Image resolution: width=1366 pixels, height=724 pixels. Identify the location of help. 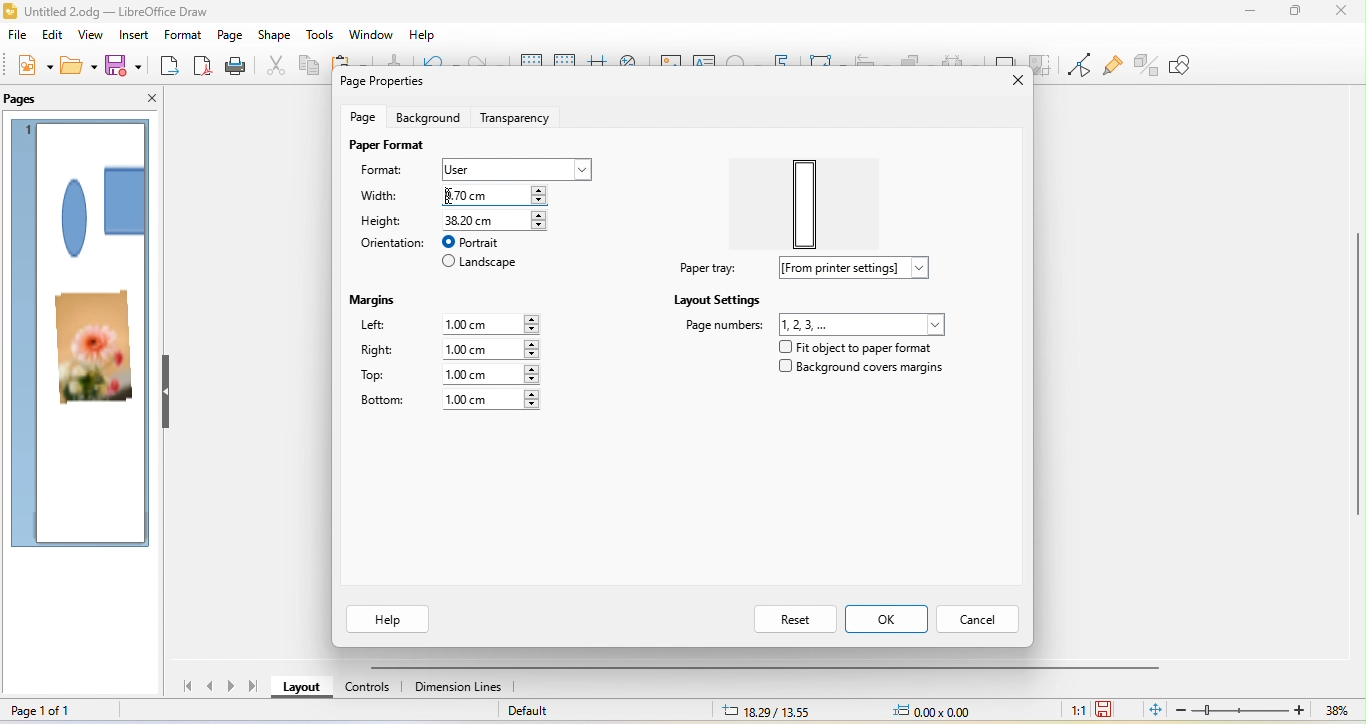
(423, 36).